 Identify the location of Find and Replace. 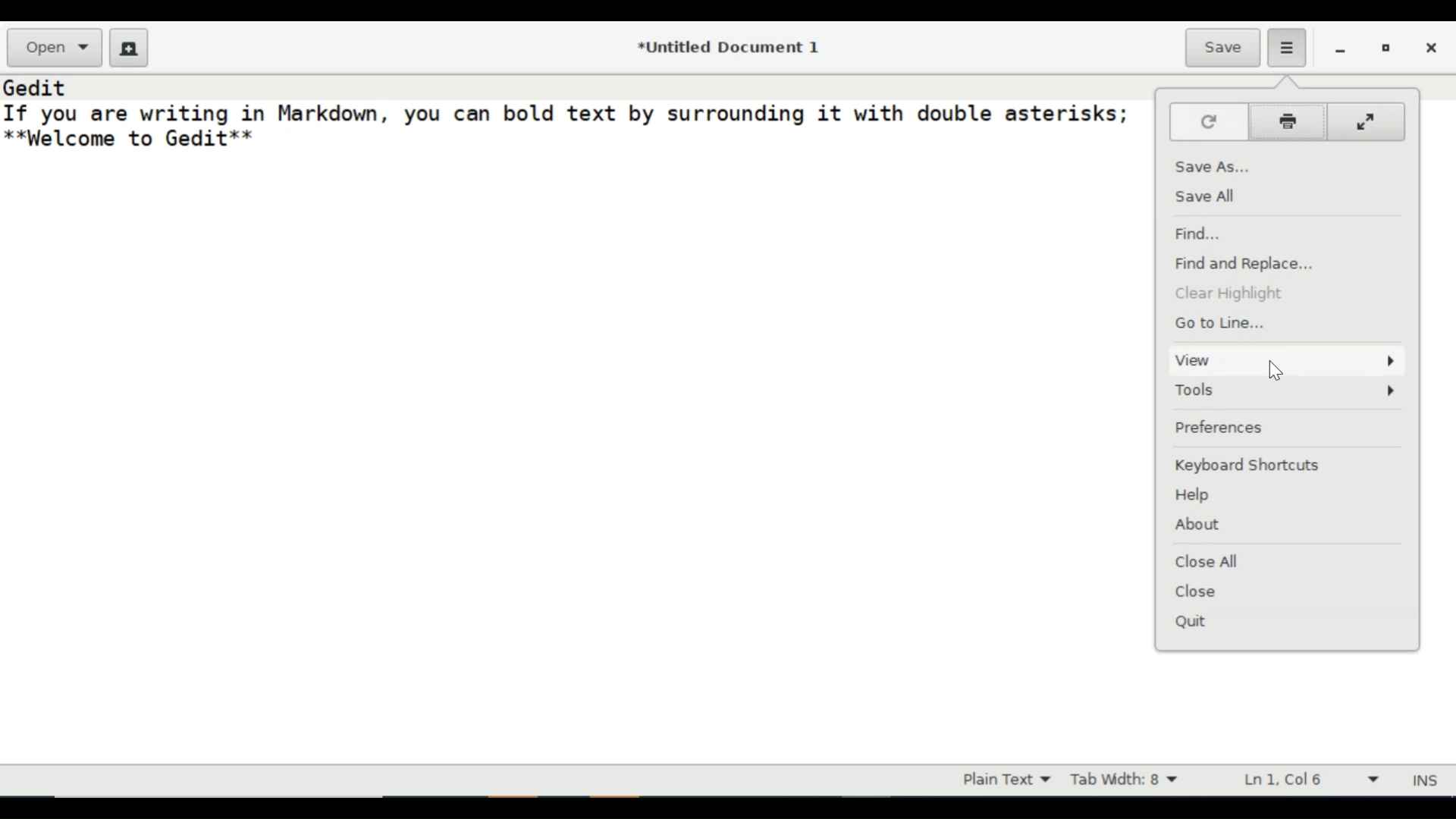
(1249, 263).